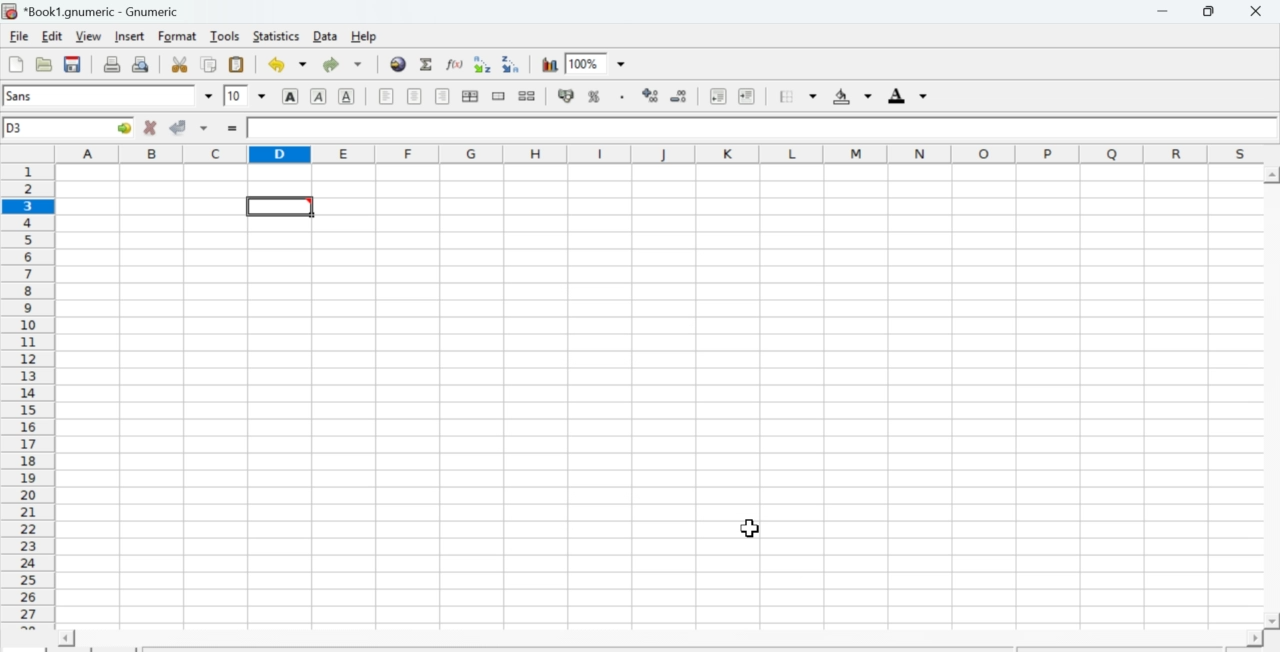 Image resolution: width=1280 pixels, height=652 pixels. I want to click on Minimize/Maximize, so click(1210, 12).